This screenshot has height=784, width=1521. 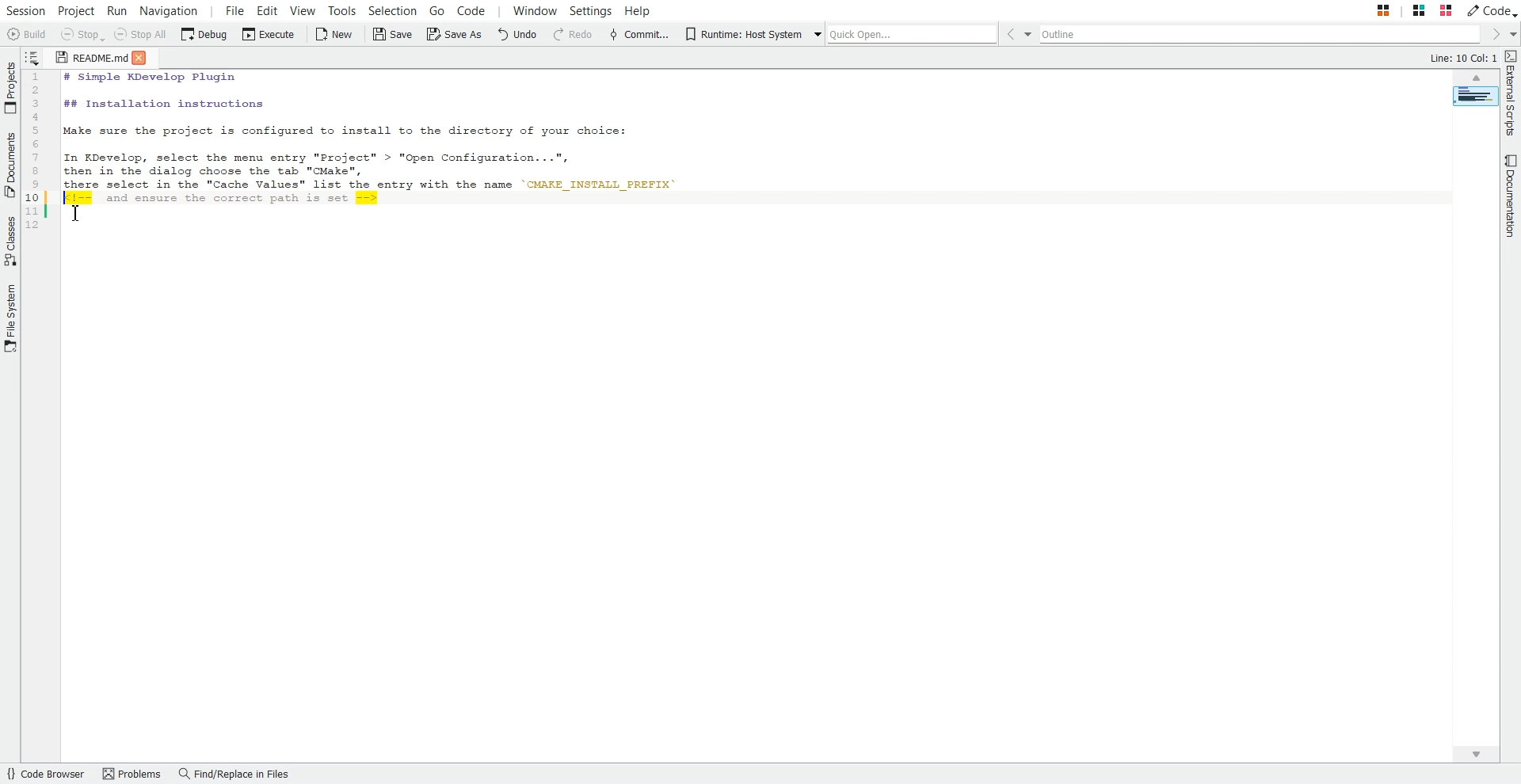 I want to click on README.md (file), so click(x=86, y=57).